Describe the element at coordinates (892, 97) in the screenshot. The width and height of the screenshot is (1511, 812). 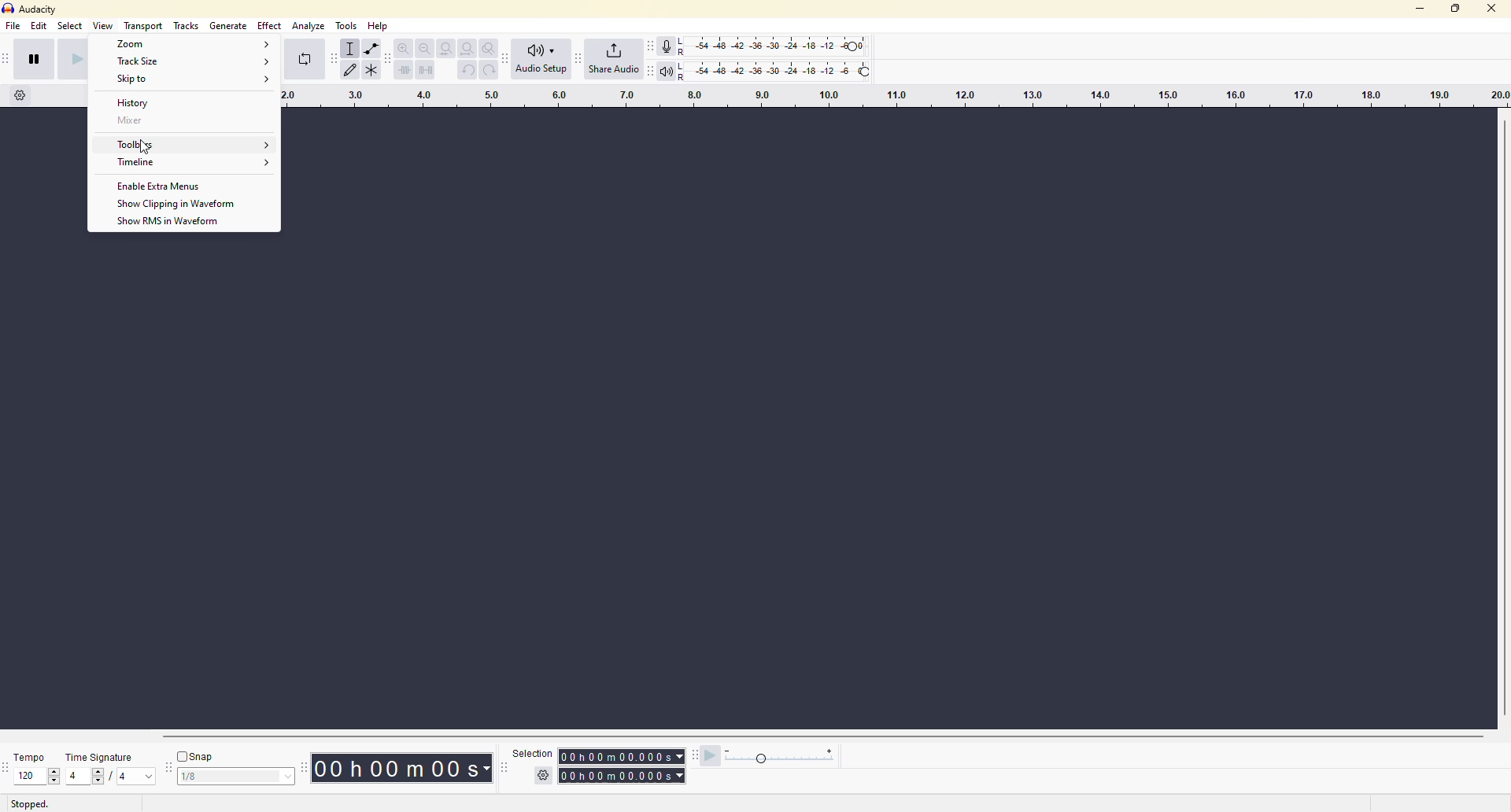
I see `click and drag to define a looping region` at that location.